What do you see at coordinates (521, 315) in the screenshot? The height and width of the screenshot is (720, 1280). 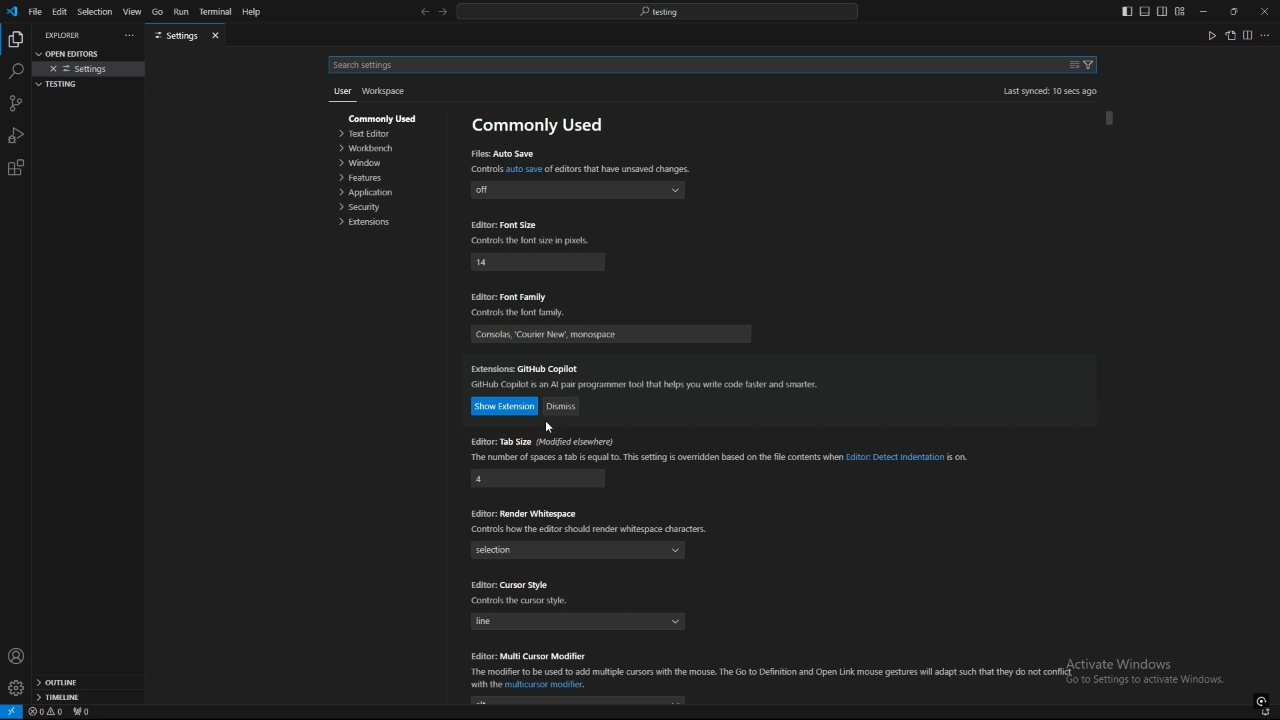 I see `info` at bounding box center [521, 315].